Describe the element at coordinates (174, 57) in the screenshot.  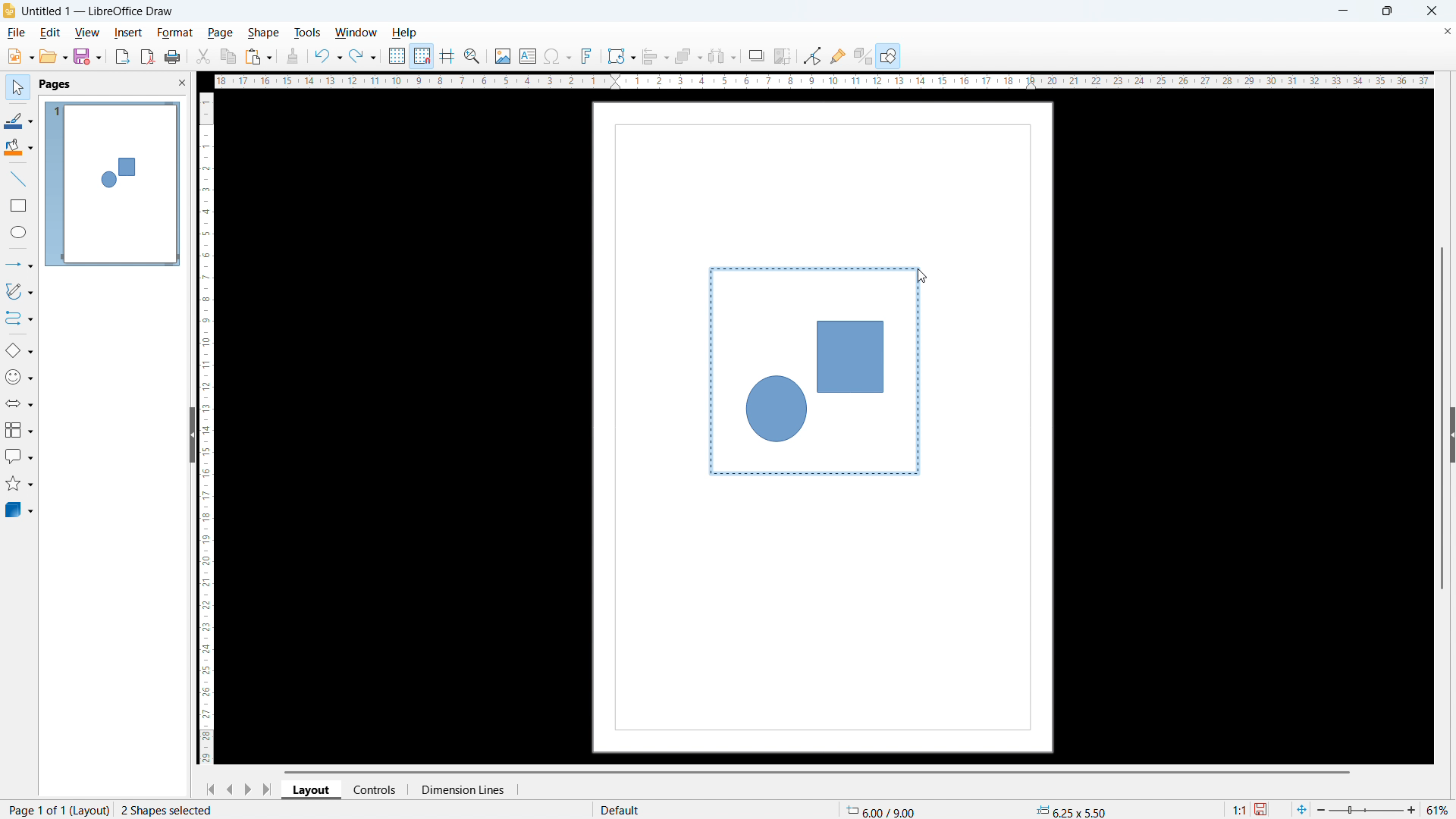
I see `print` at that location.